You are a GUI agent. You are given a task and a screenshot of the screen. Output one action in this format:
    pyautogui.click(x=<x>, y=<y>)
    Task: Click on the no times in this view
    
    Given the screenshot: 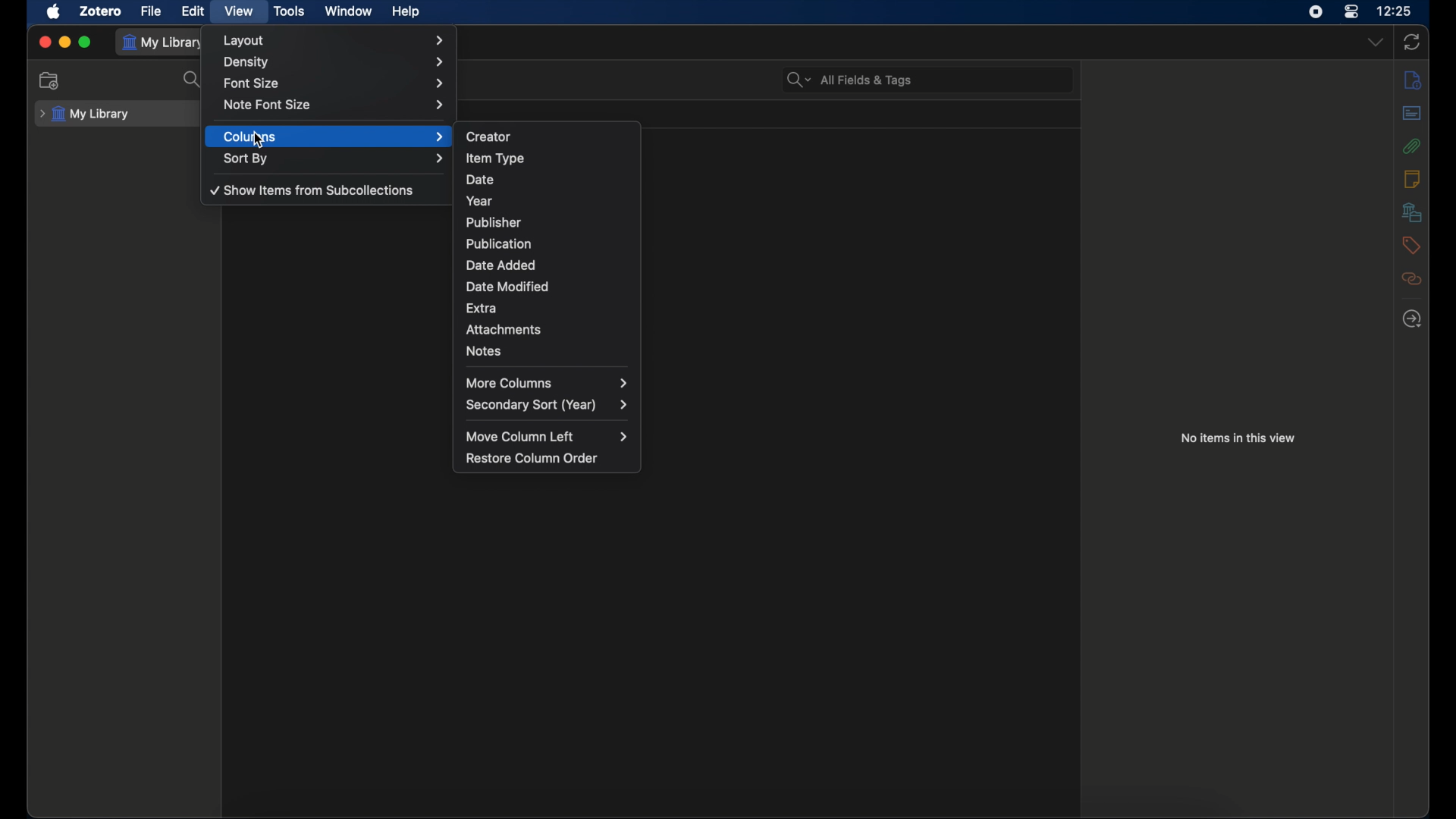 What is the action you would take?
    pyautogui.click(x=1238, y=438)
    